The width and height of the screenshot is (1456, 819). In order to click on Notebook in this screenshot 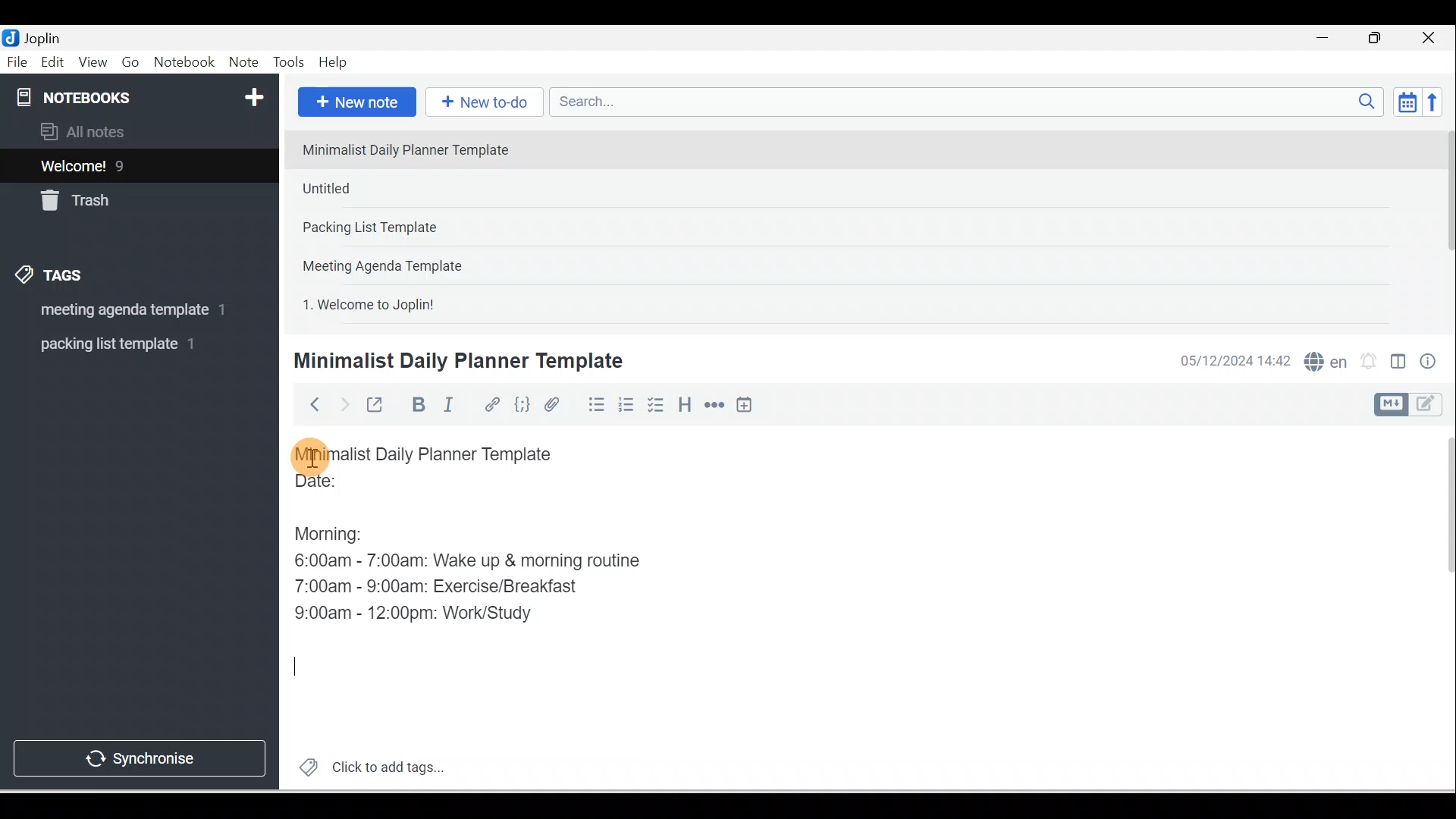, I will do `click(184, 63)`.